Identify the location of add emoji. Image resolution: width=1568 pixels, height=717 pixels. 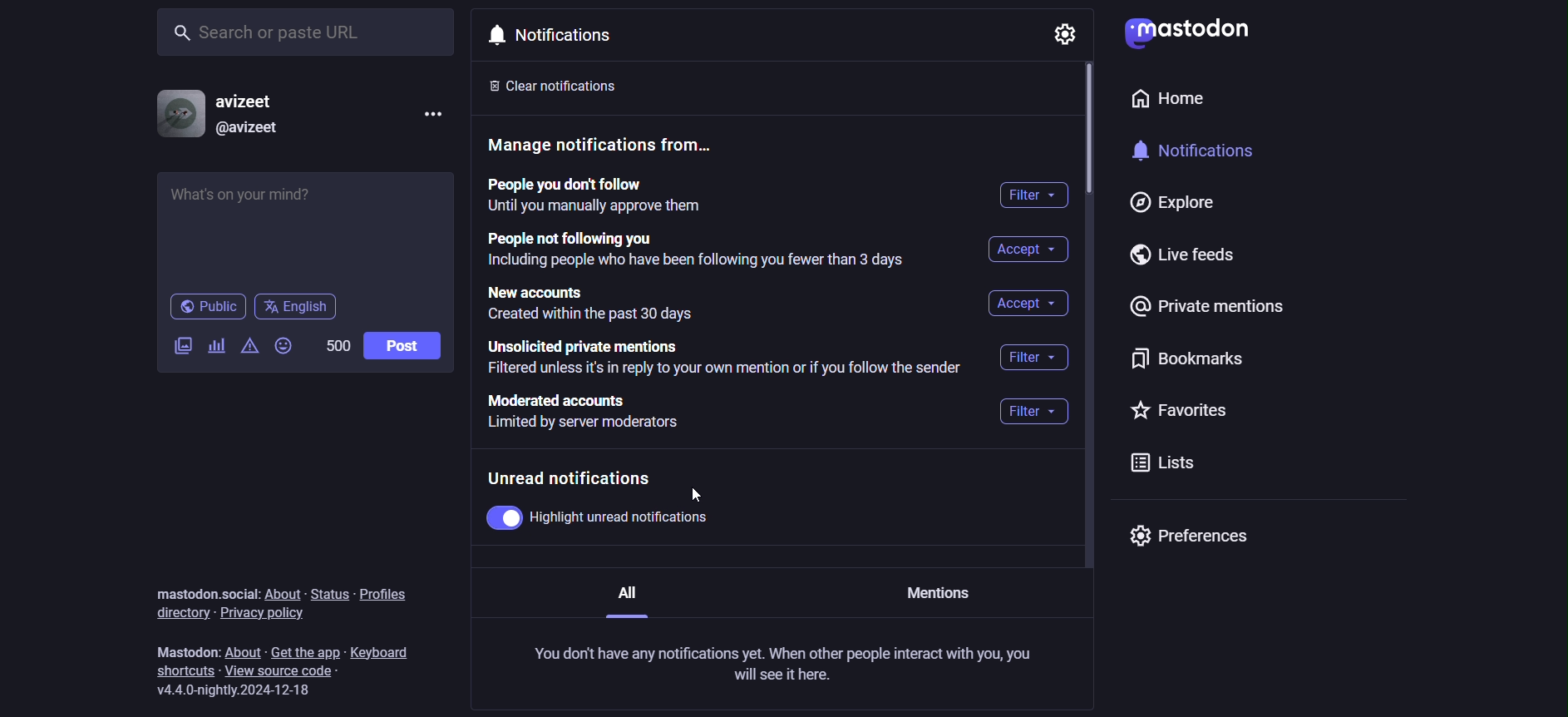
(285, 344).